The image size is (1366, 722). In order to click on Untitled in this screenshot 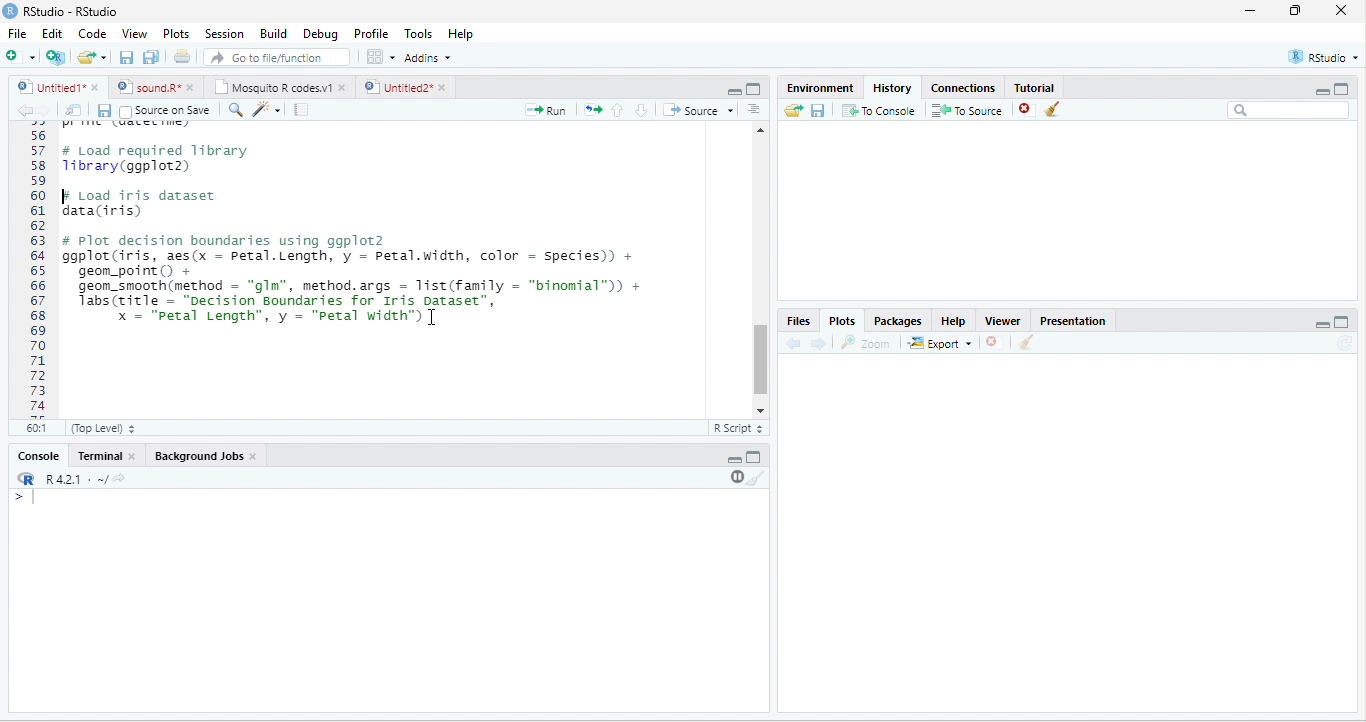, I will do `click(49, 87)`.